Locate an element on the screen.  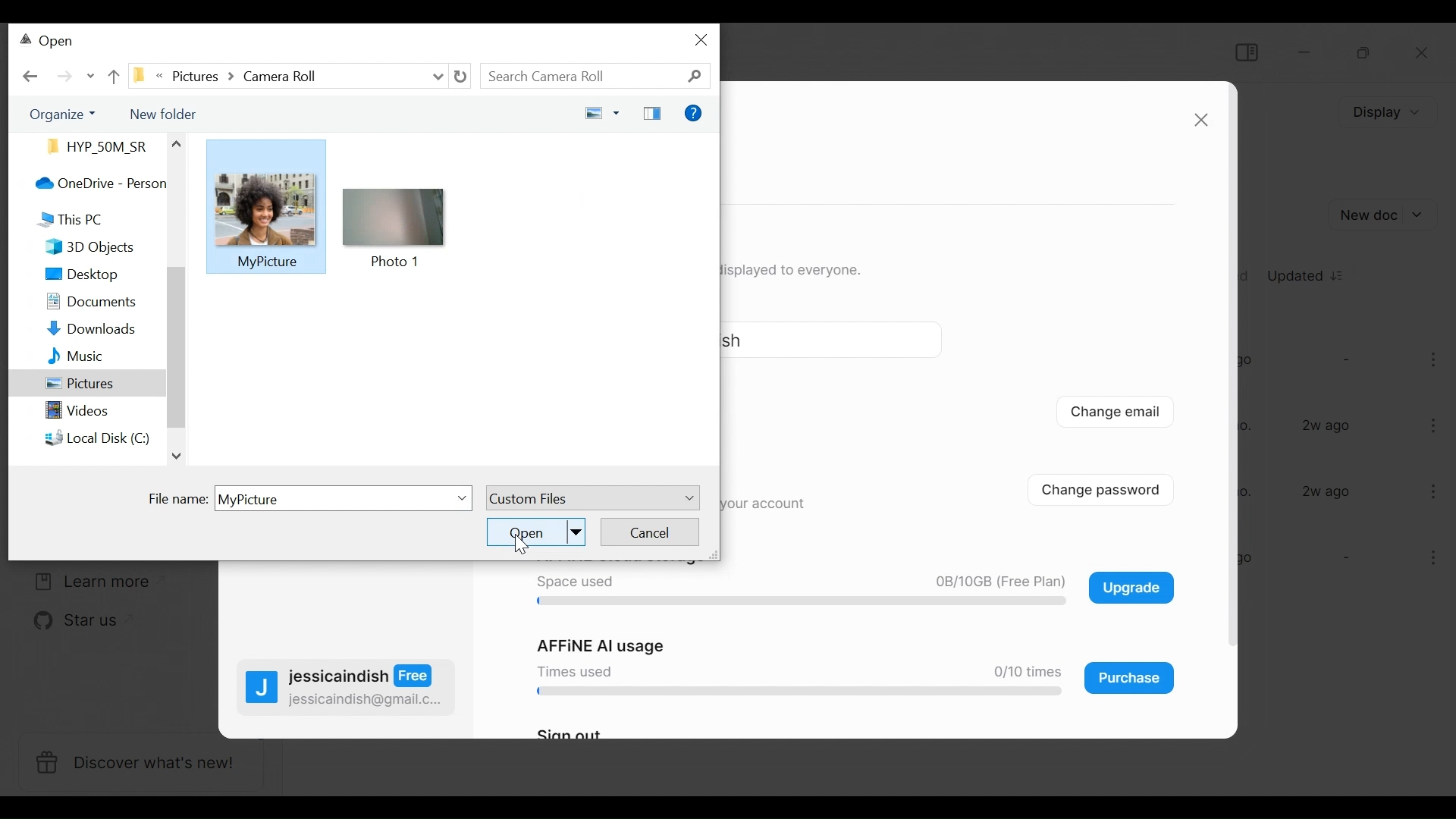
0/10 times is located at coordinates (1021, 672).